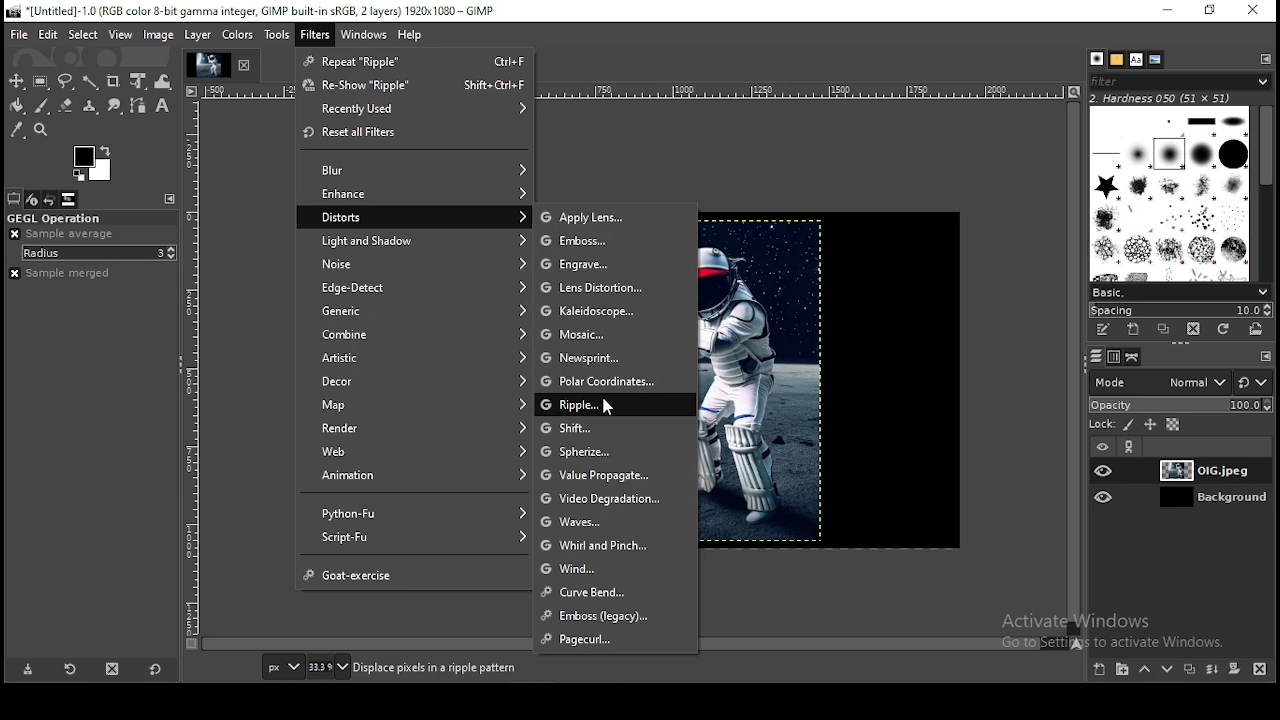  Describe the element at coordinates (1181, 80) in the screenshot. I see `search filters` at that location.